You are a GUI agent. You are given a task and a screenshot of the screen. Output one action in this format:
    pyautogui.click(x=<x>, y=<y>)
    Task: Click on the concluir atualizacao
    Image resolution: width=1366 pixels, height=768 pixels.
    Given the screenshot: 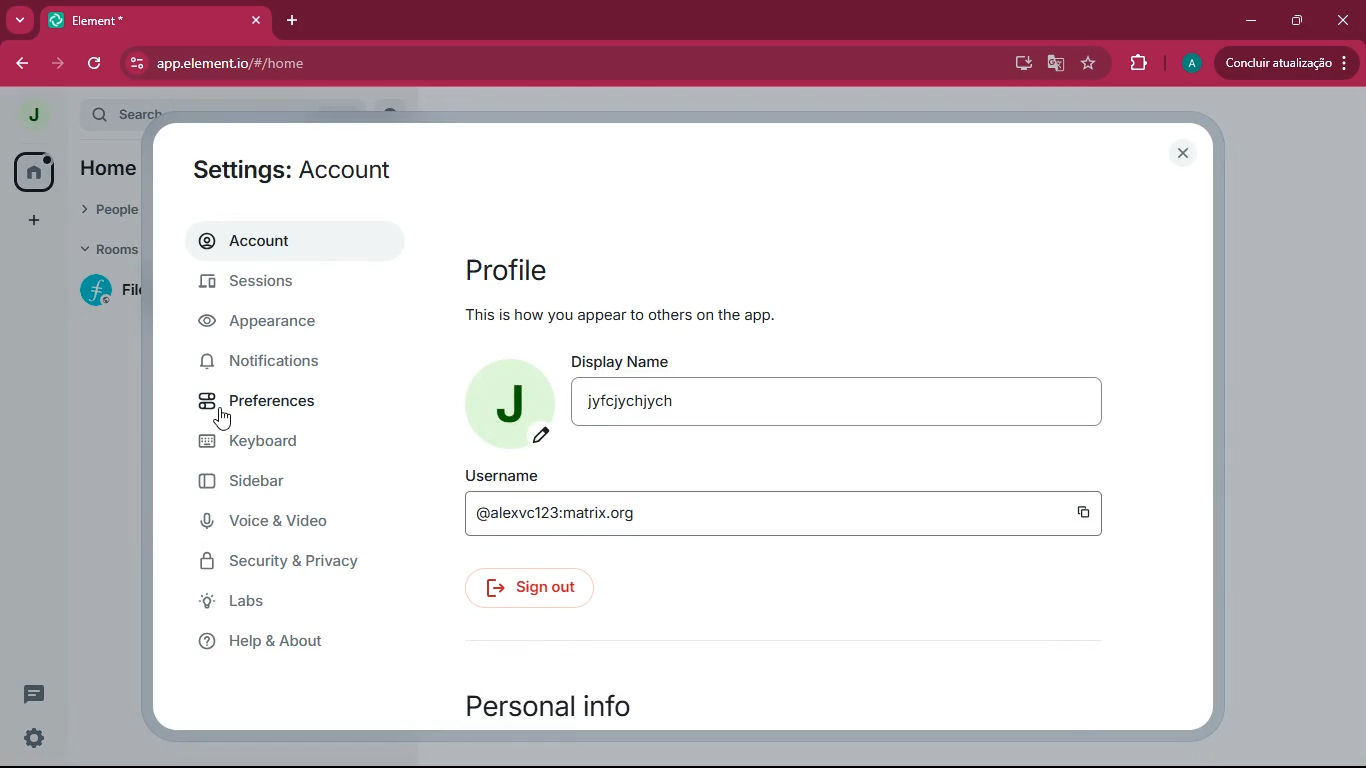 What is the action you would take?
    pyautogui.click(x=1286, y=62)
    